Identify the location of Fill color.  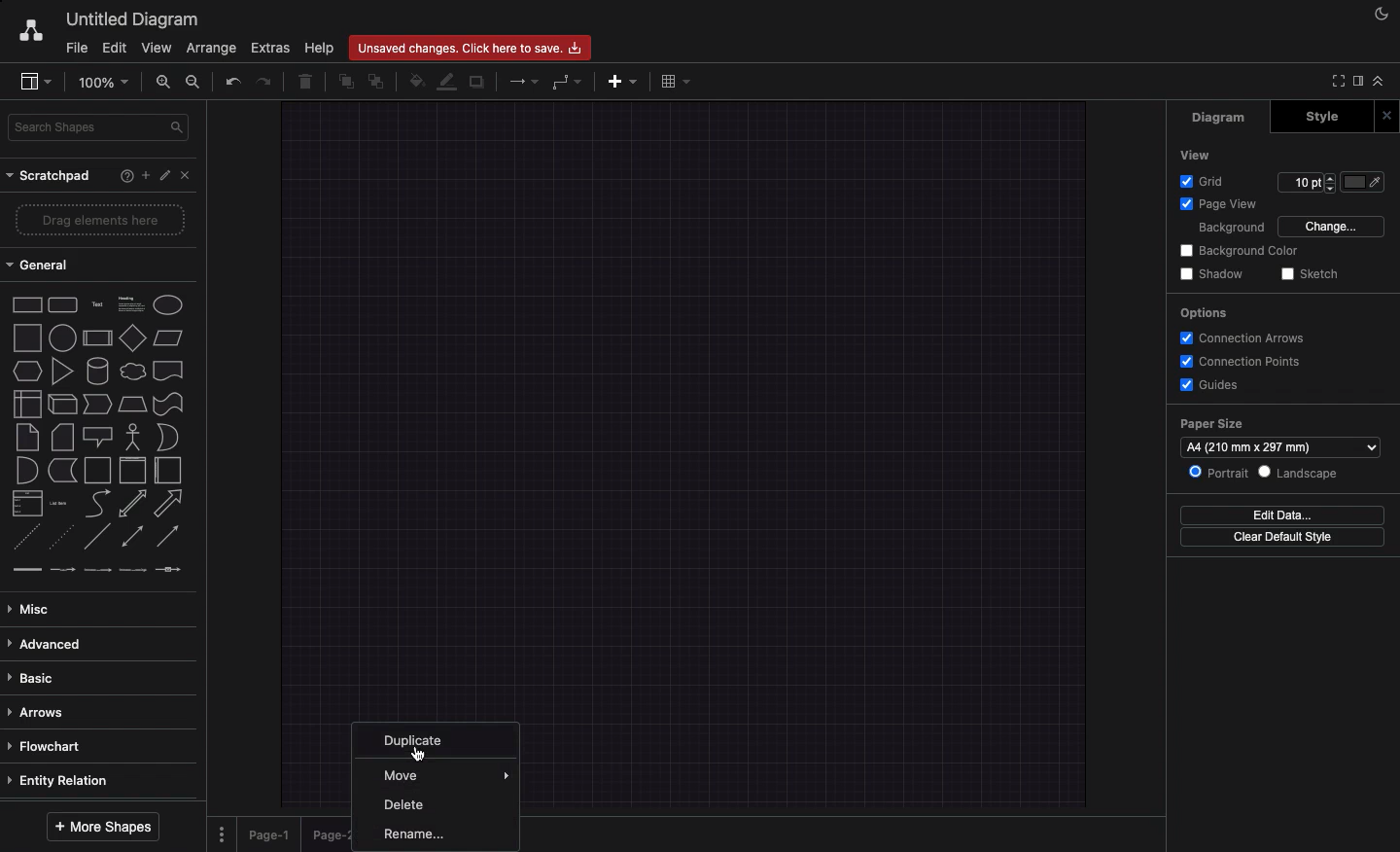
(415, 82).